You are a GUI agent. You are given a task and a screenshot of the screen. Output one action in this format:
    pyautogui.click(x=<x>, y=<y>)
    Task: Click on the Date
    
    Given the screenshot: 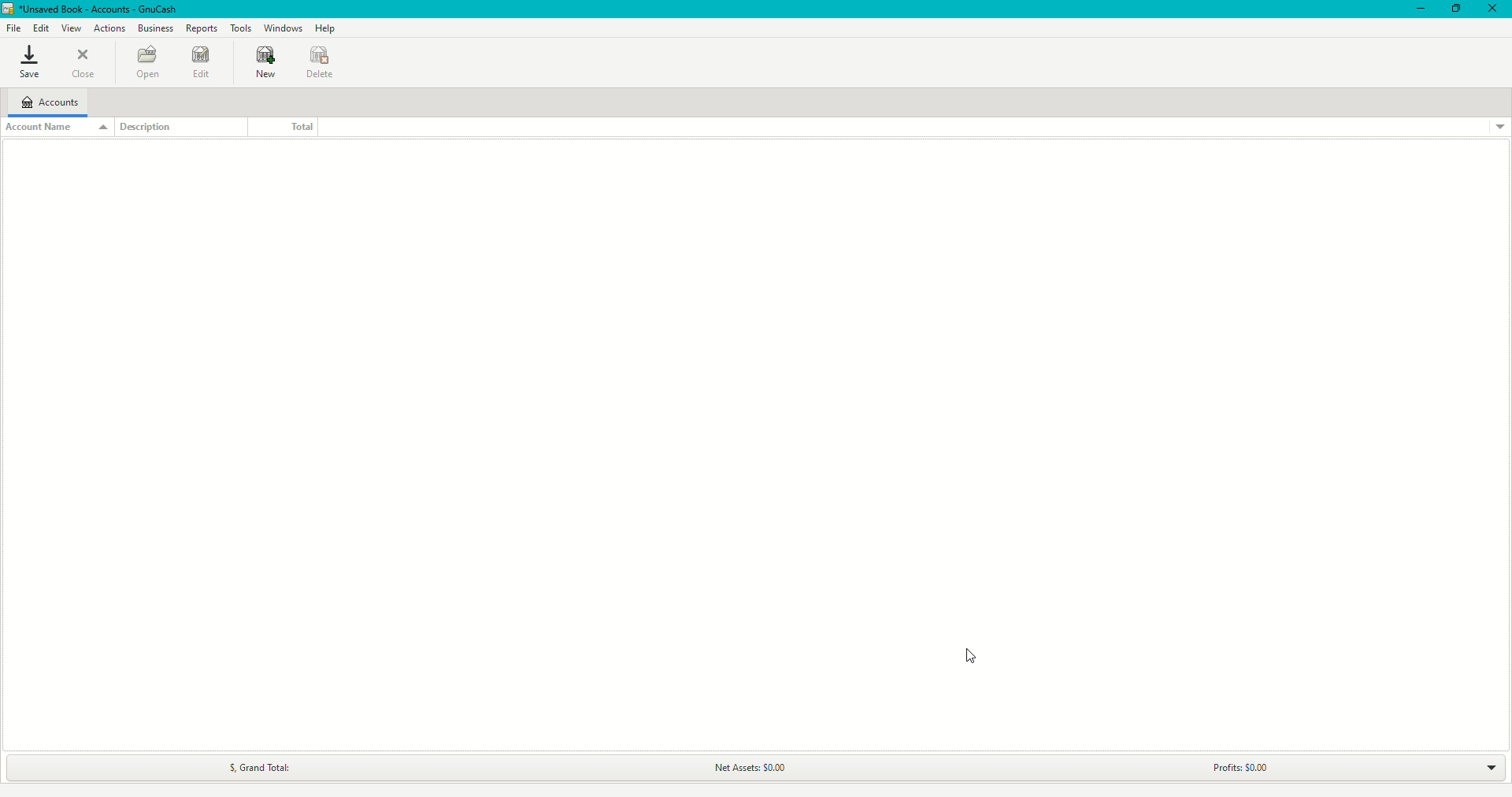 What is the action you would take?
    pyautogui.click(x=323, y=63)
    